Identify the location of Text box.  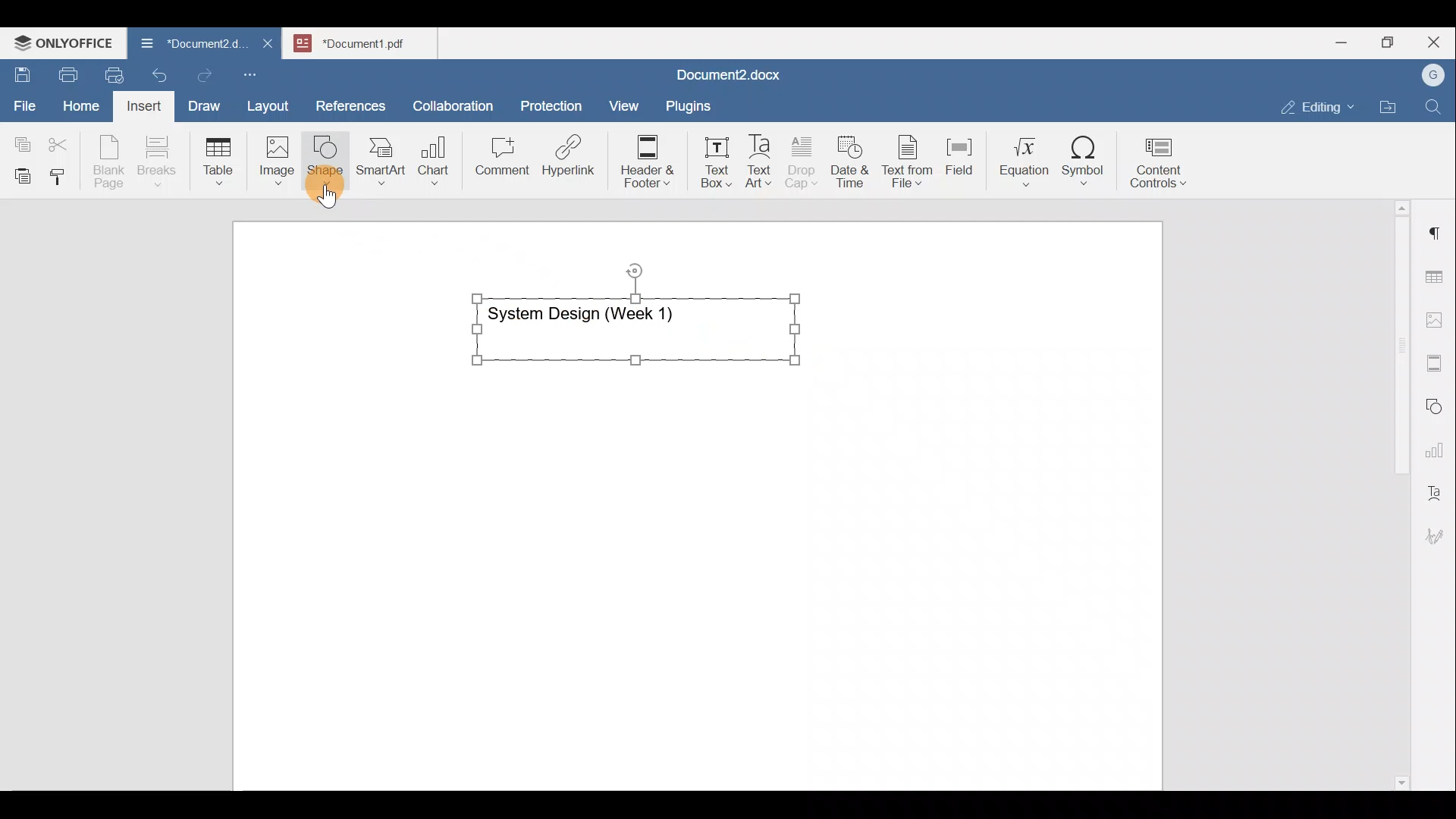
(706, 162).